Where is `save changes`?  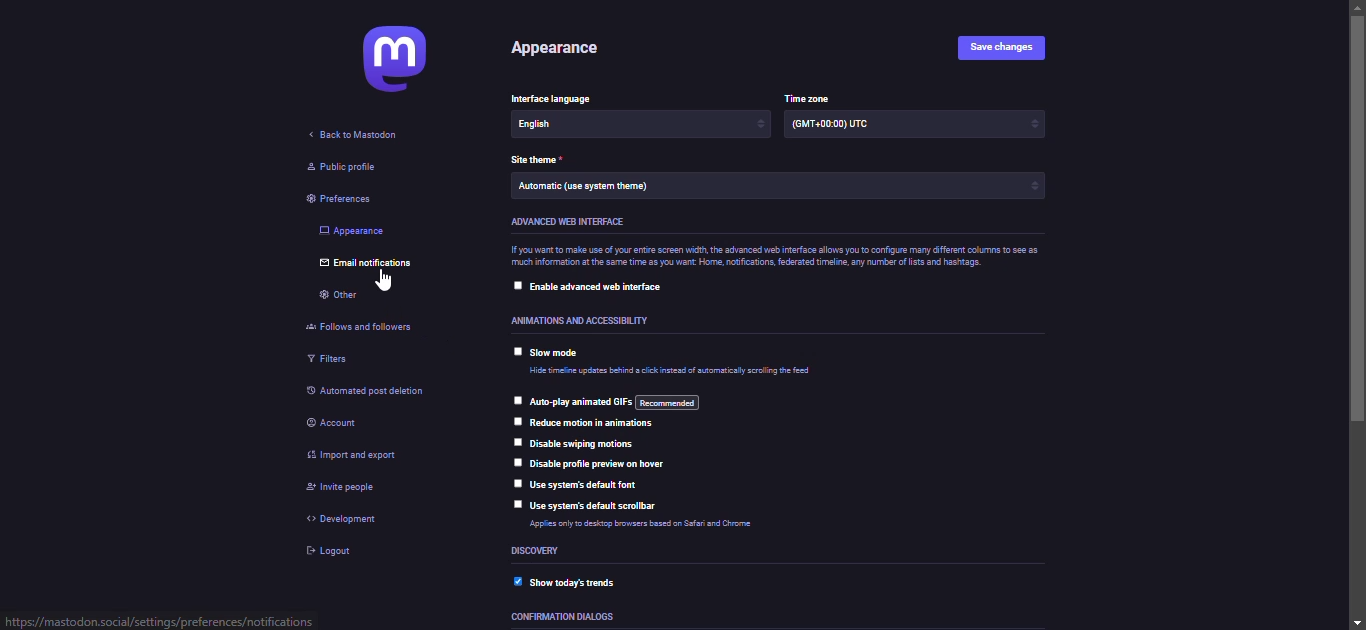 save changes is located at coordinates (1008, 47).